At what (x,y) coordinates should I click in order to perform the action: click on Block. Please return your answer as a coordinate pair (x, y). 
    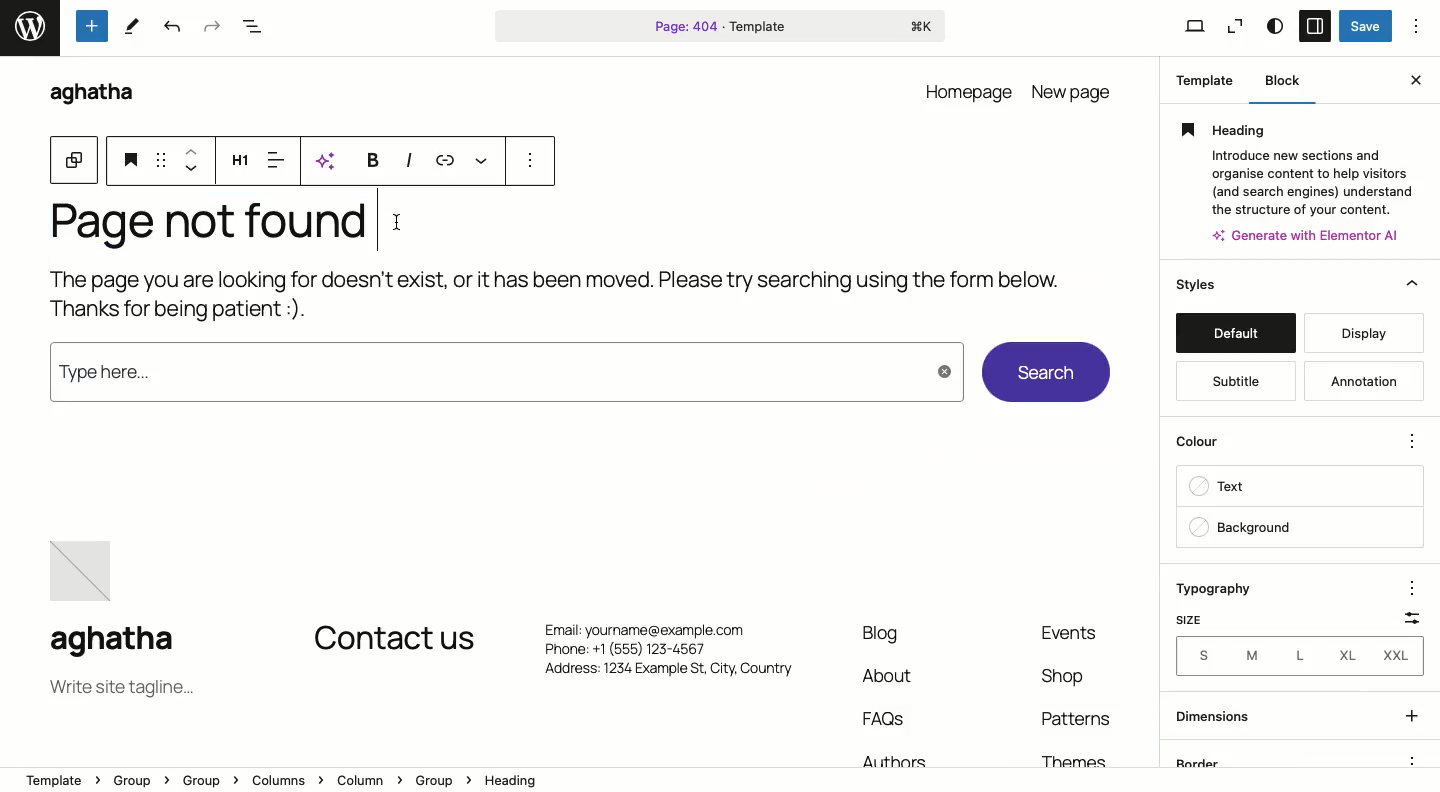
    Looking at the image, I should click on (1277, 80).